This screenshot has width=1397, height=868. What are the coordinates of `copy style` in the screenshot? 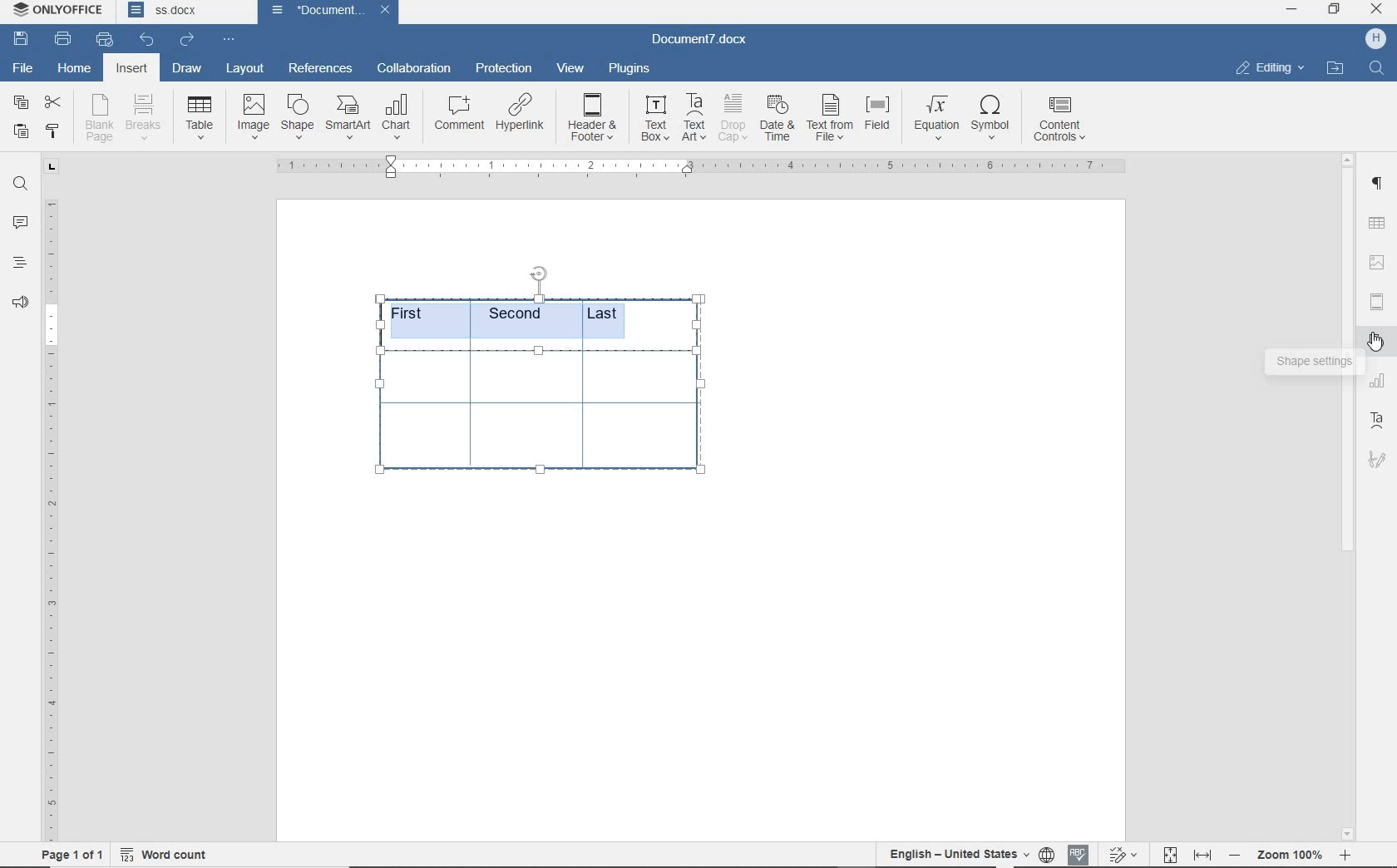 It's located at (51, 131).